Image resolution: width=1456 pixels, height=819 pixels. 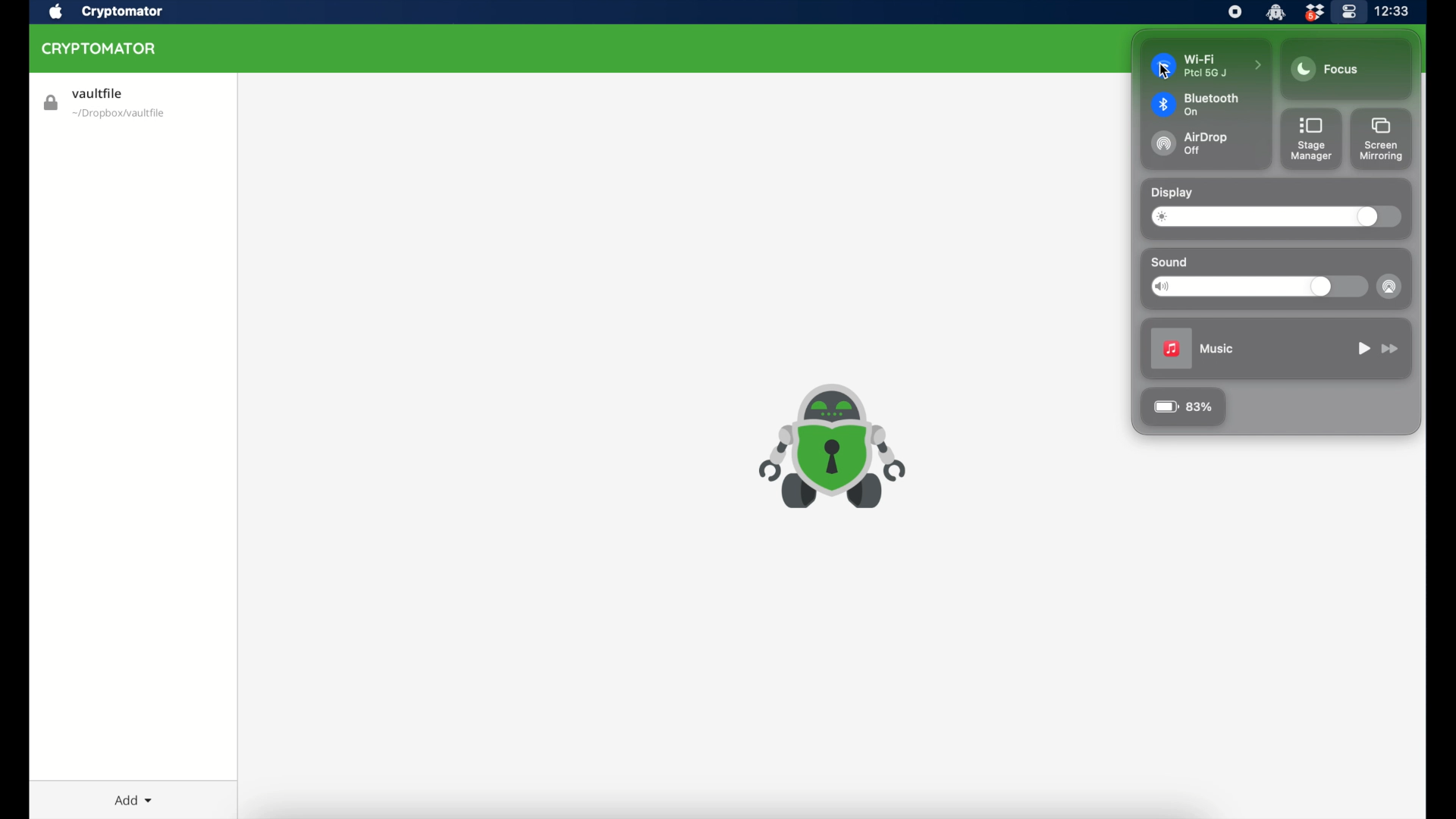 What do you see at coordinates (1236, 11) in the screenshot?
I see `screen recorder icon` at bounding box center [1236, 11].